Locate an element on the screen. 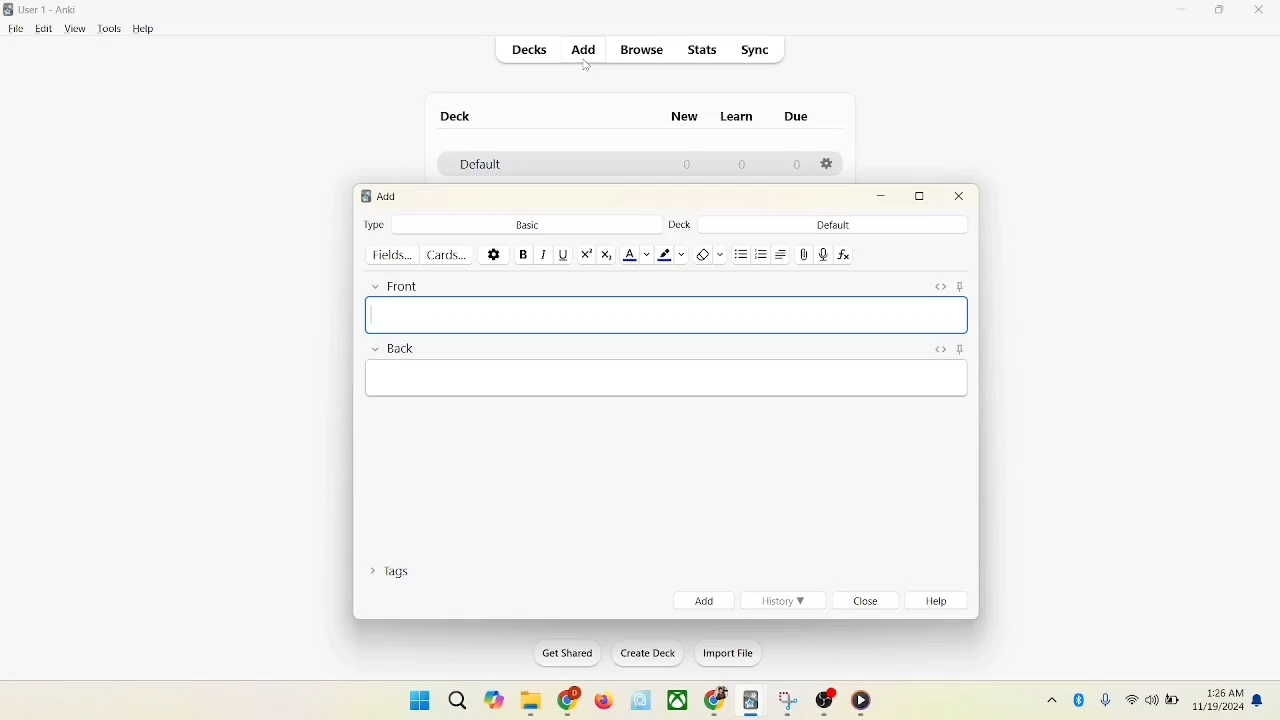 The width and height of the screenshot is (1280, 720). import file is located at coordinates (726, 656).